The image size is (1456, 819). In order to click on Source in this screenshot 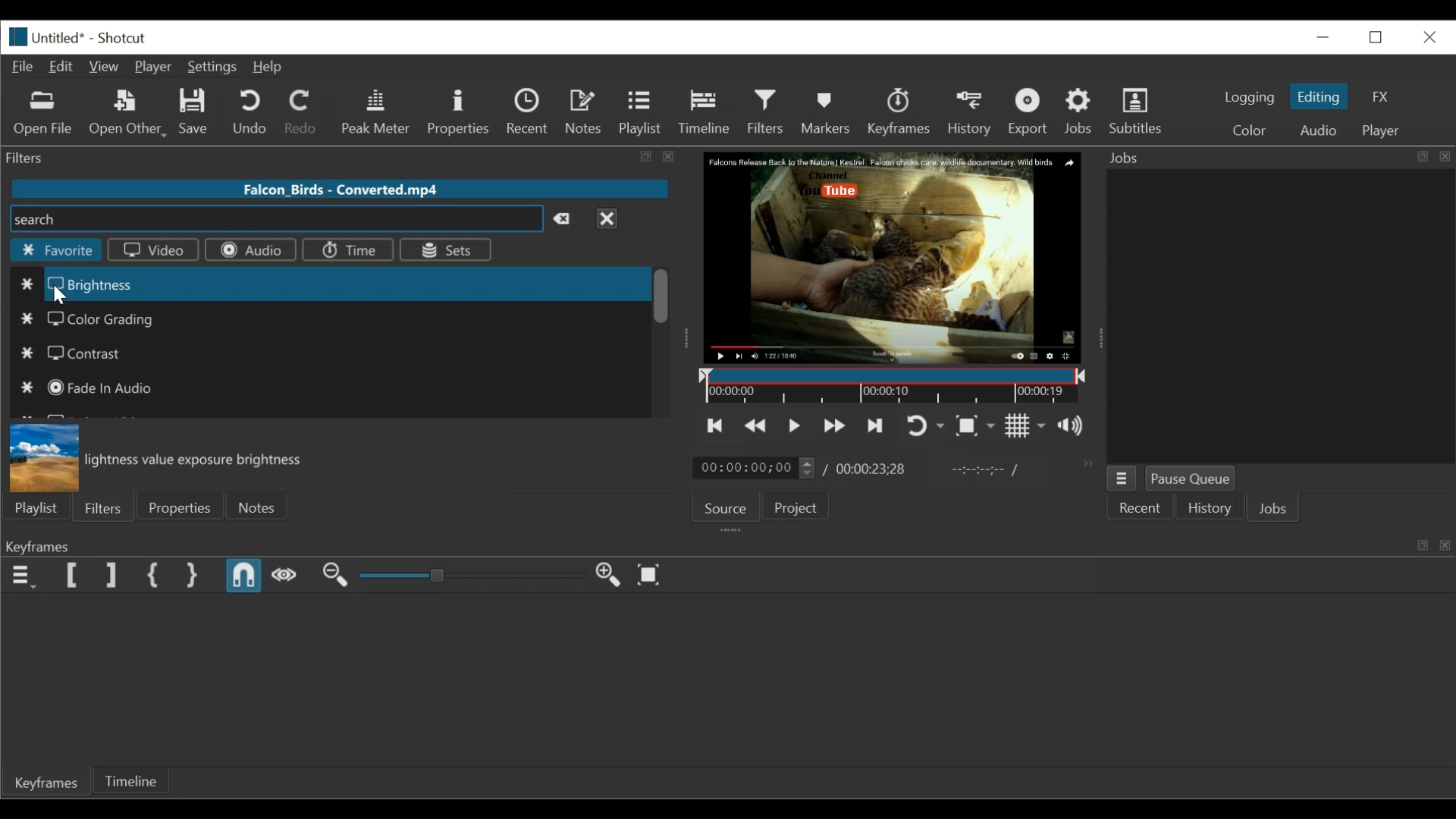, I will do `click(726, 508)`.